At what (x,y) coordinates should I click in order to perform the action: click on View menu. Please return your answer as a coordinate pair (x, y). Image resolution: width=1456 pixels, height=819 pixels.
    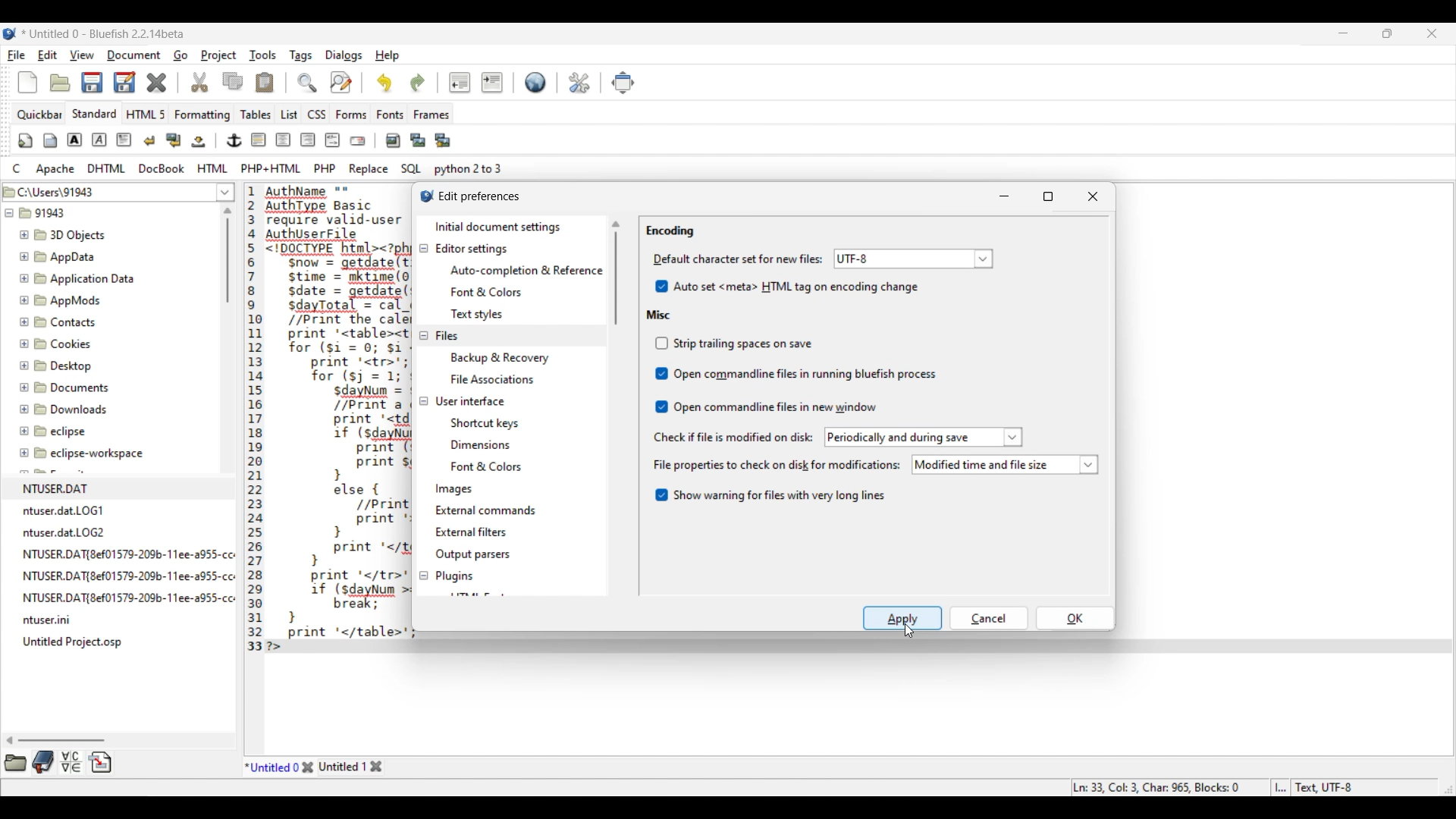
    Looking at the image, I should click on (82, 55).